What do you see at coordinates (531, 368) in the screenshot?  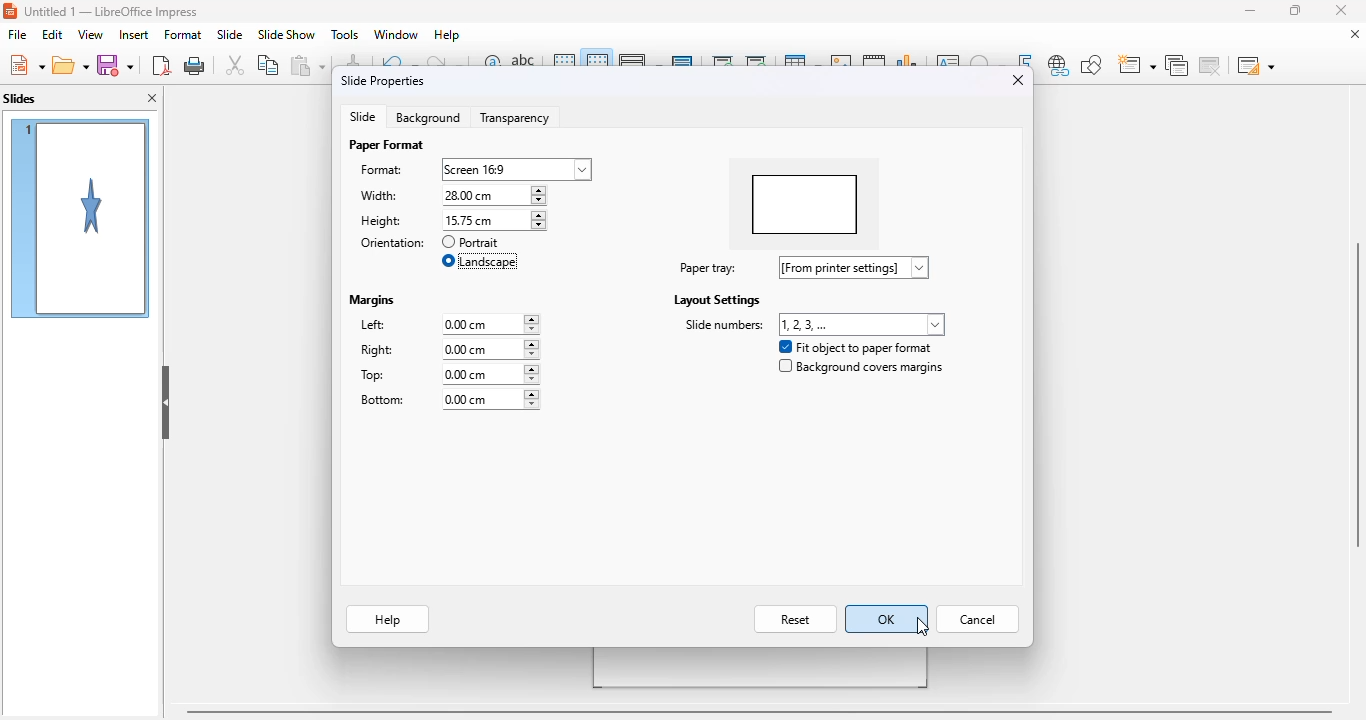 I see `increase top margin` at bounding box center [531, 368].